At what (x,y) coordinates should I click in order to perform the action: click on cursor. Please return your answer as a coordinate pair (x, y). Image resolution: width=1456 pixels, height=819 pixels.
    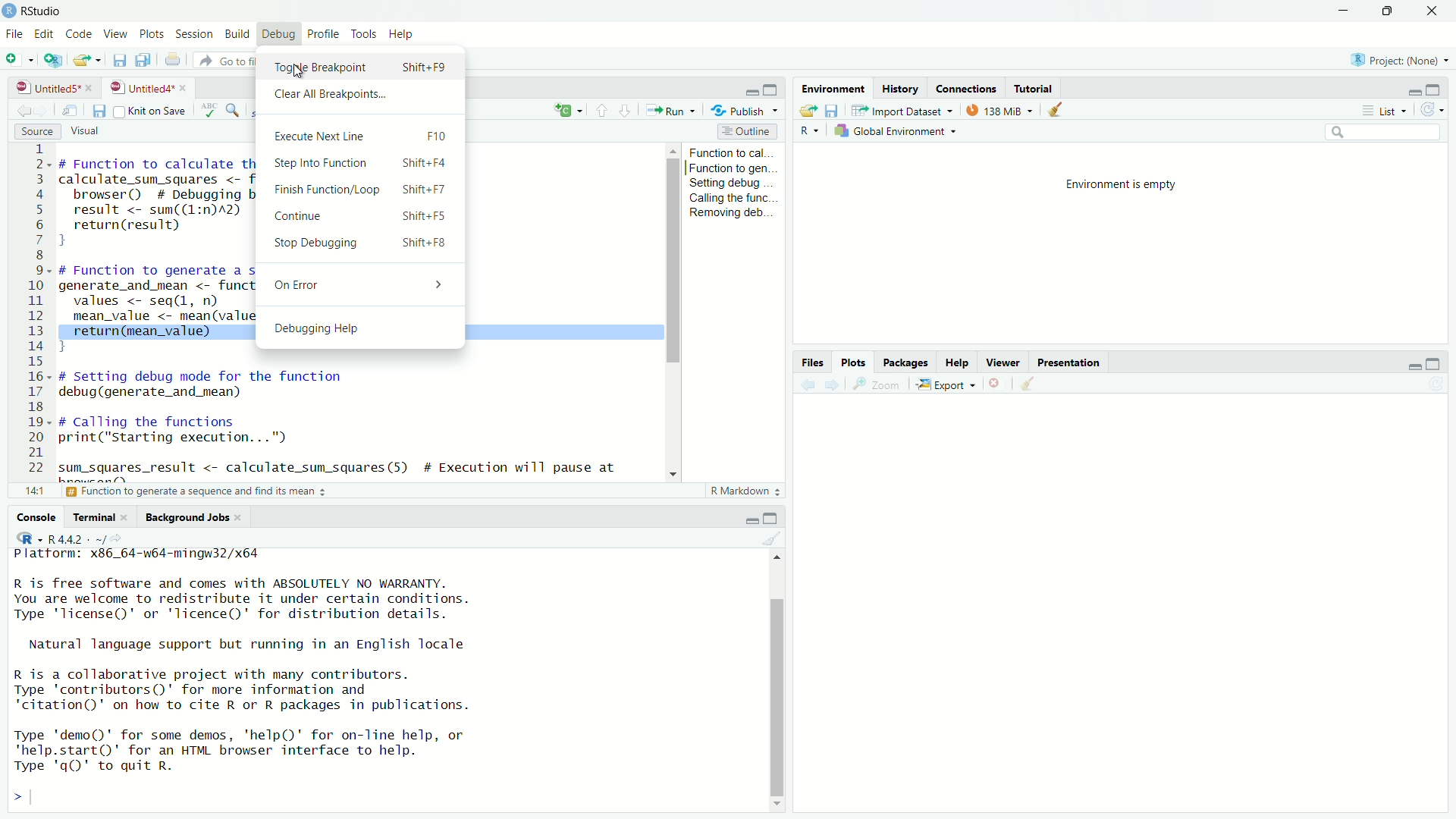
    Looking at the image, I should click on (298, 73).